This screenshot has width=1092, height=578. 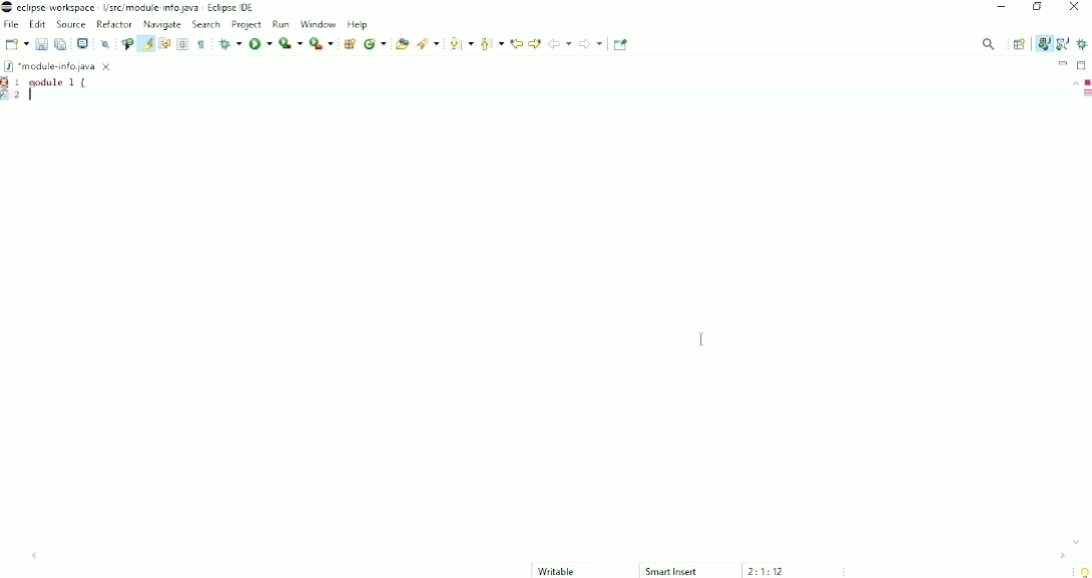 I want to click on Show whitespace characters, so click(x=201, y=44).